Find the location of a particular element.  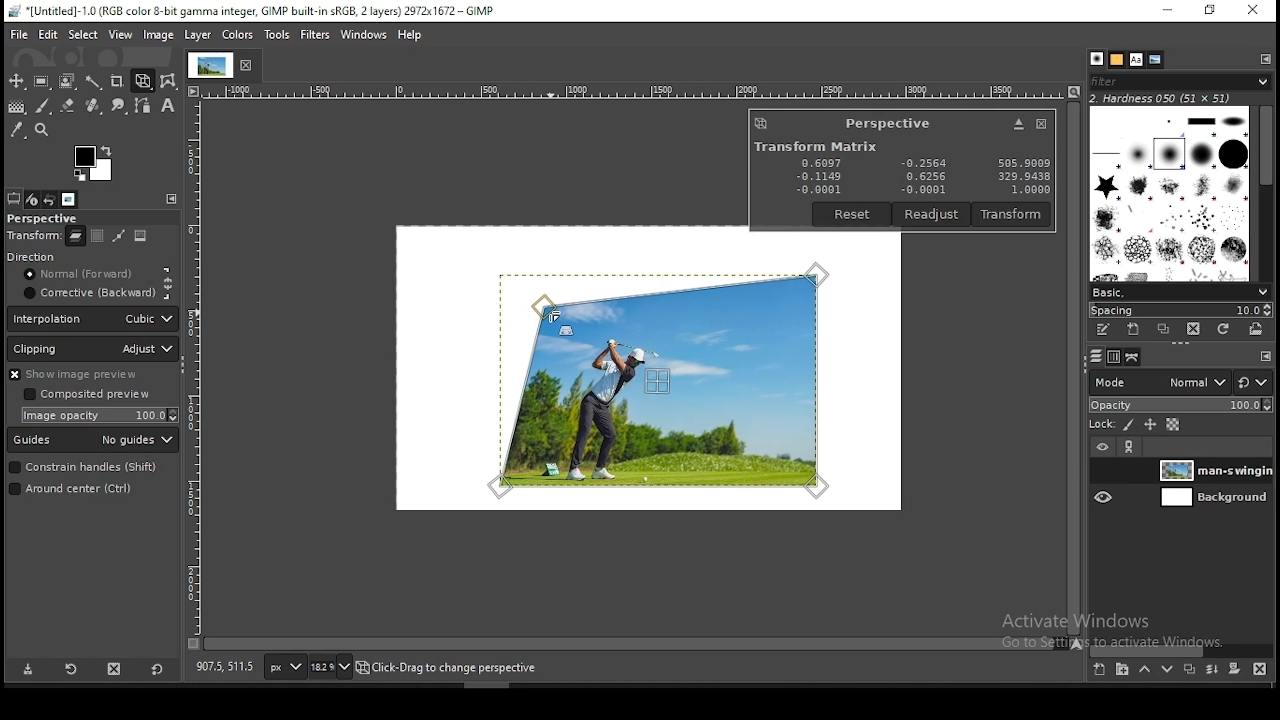

color picker tool is located at coordinates (17, 132).